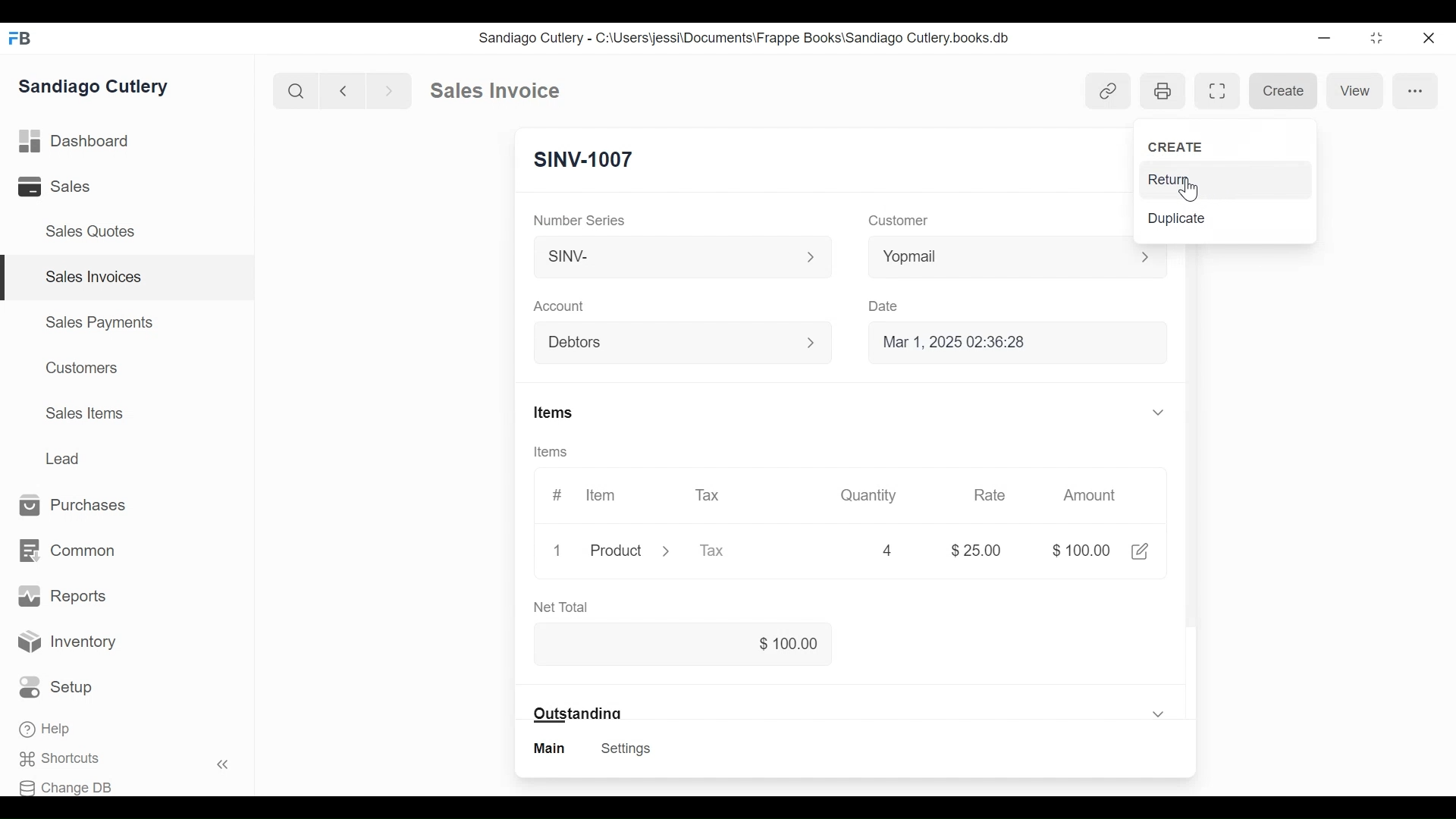  What do you see at coordinates (887, 550) in the screenshot?
I see `4` at bounding box center [887, 550].